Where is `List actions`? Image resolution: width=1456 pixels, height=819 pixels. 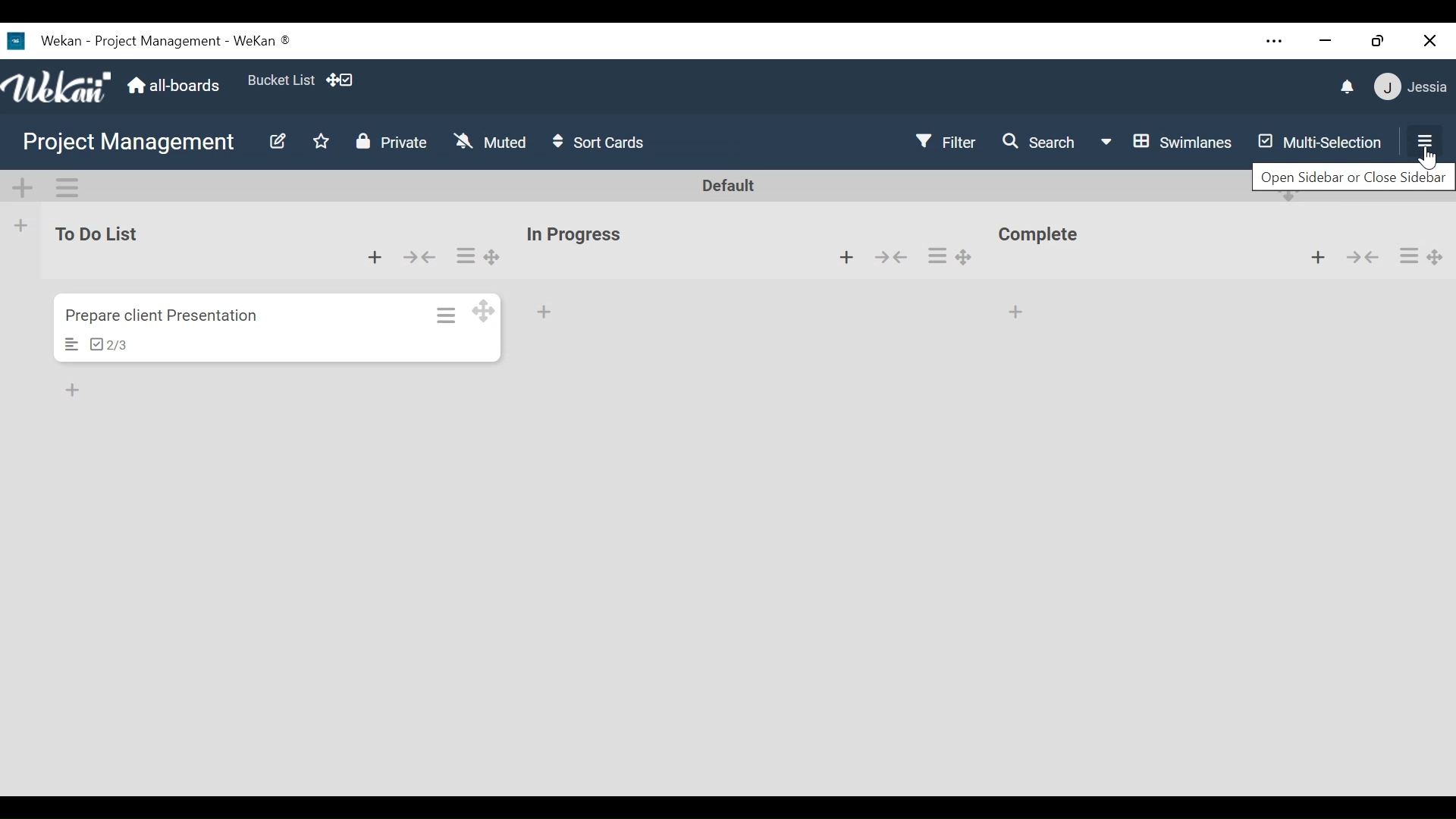 List actions is located at coordinates (466, 255).